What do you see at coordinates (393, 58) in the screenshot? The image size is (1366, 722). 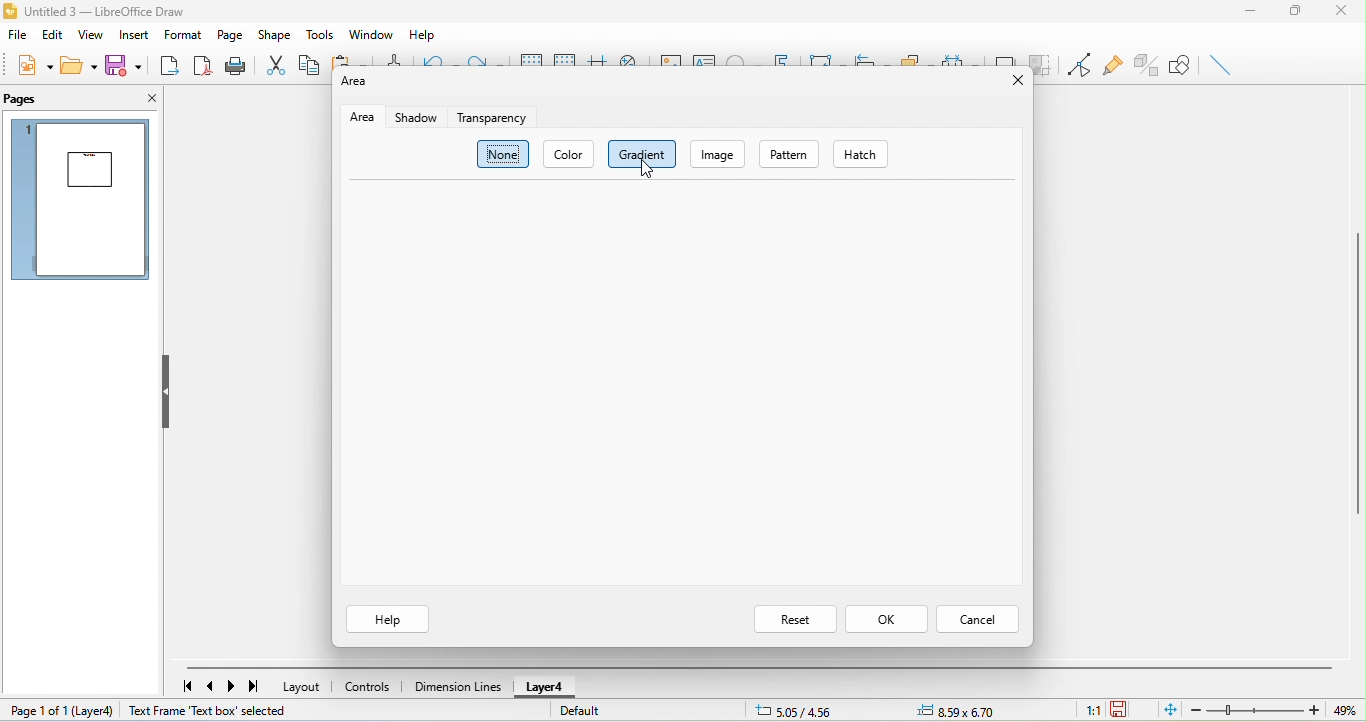 I see `clone formatting` at bounding box center [393, 58].